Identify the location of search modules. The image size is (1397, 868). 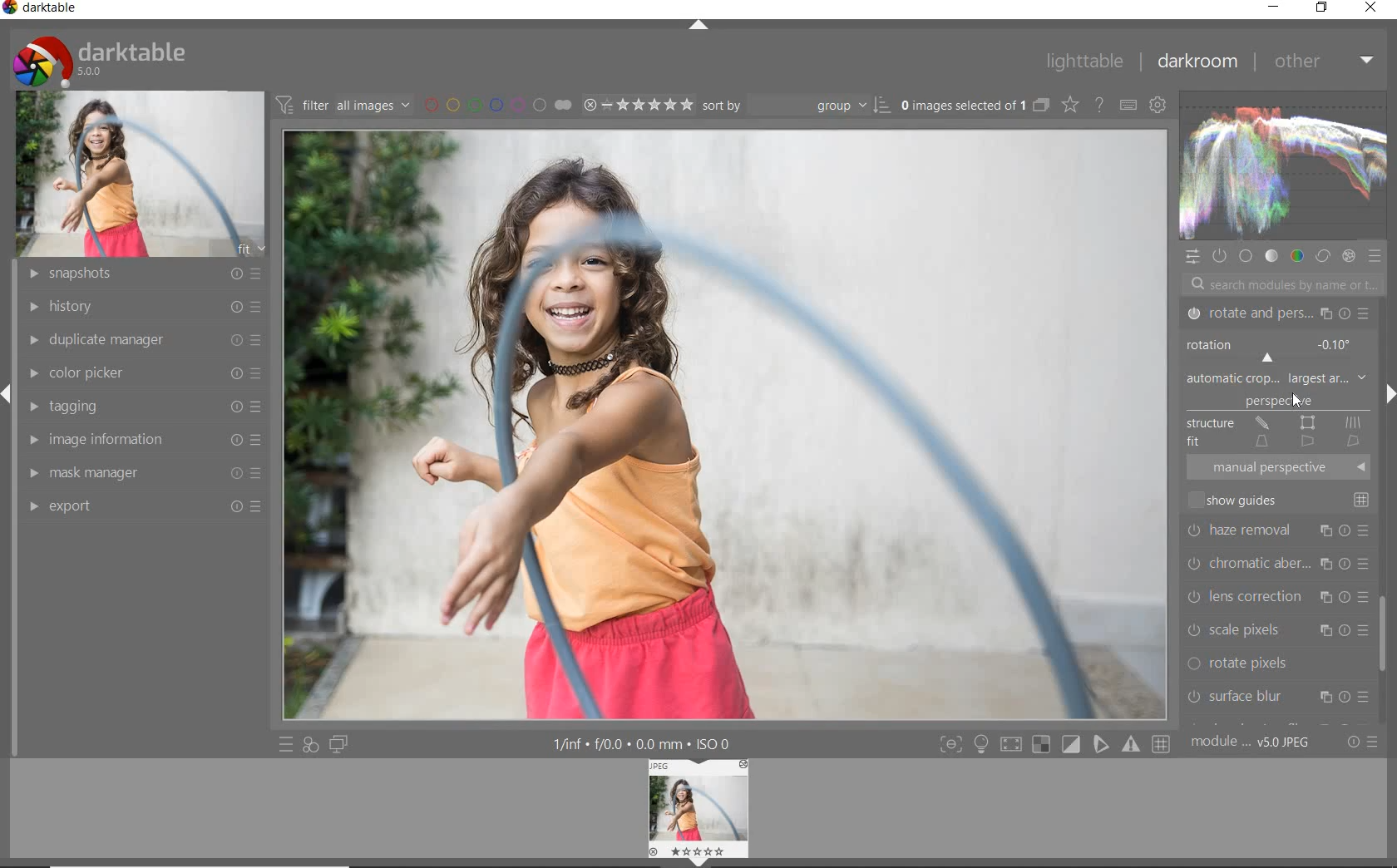
(1277, 286).